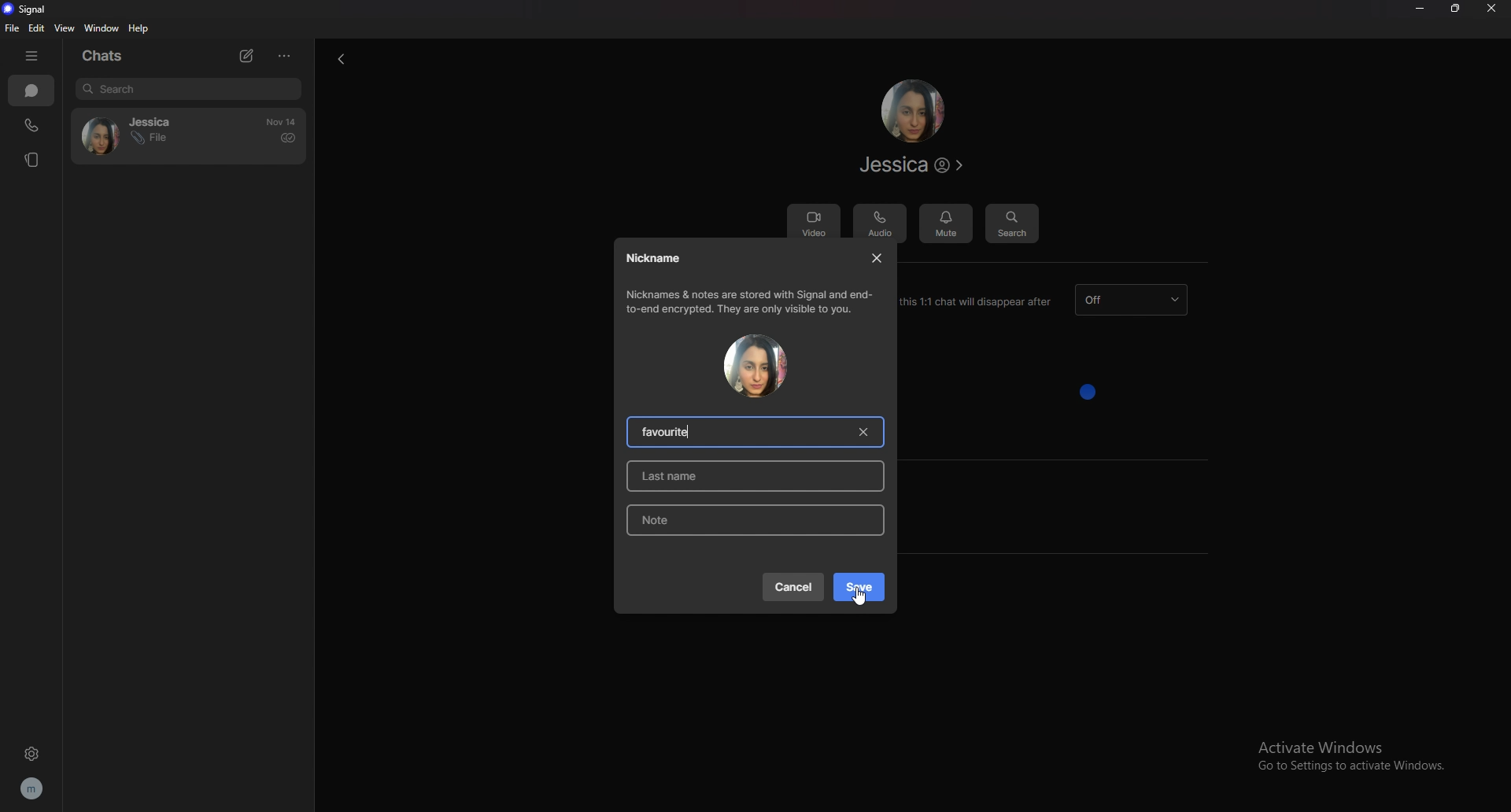 The height and width of the screenshot is (812, 1511). I want to click on profile, so click(38, 789).